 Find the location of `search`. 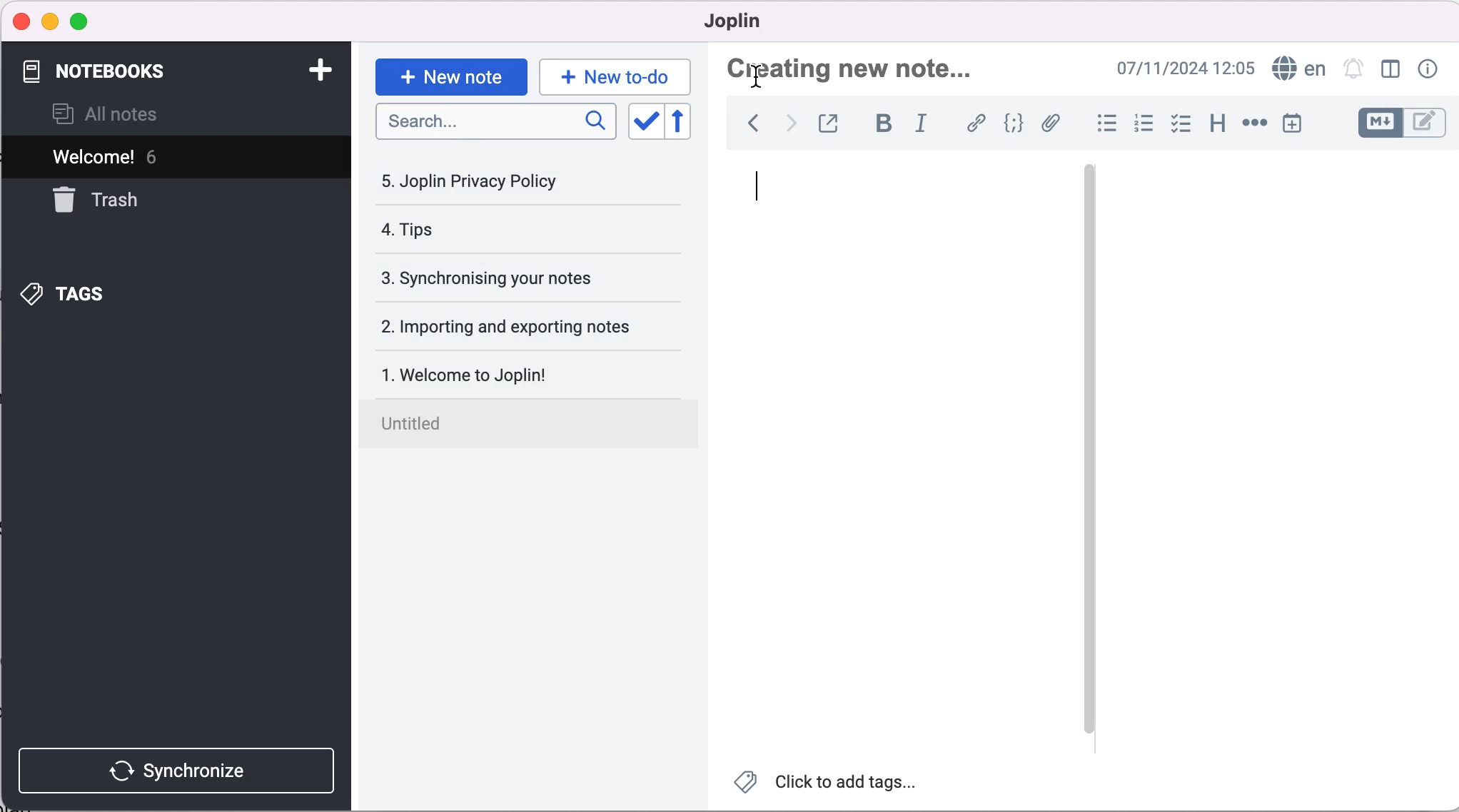

search is located at coordinates (493, 123).